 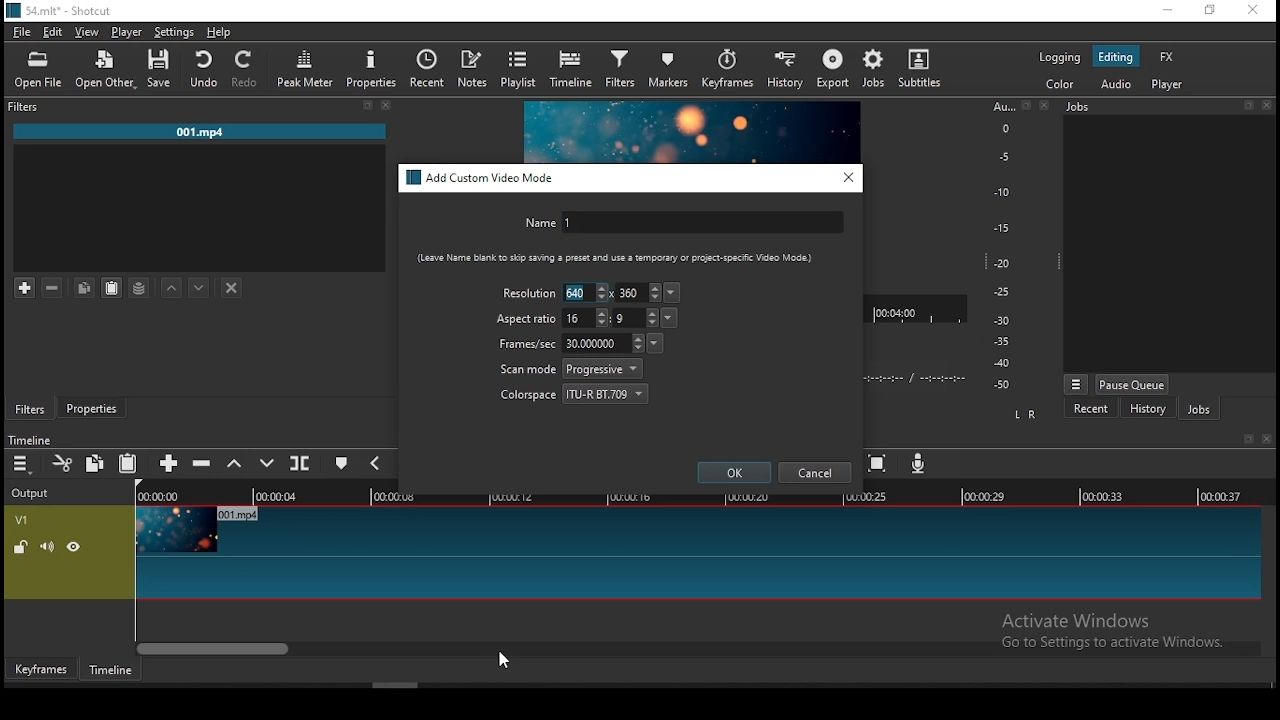 I want to click on recent, so click(x=427, y=66).